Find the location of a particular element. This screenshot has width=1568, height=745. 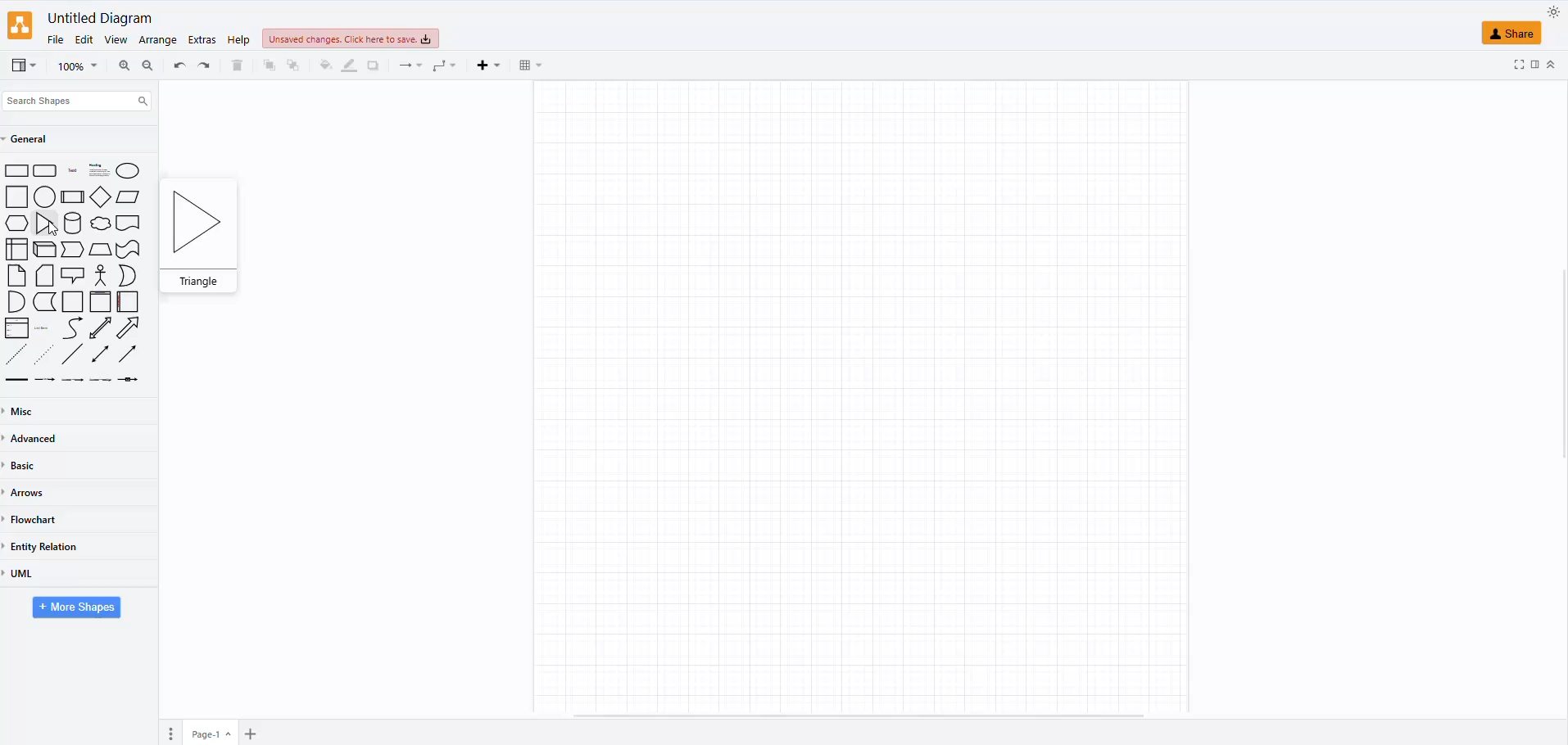

Cylinder is located at coordinates (74, 223).